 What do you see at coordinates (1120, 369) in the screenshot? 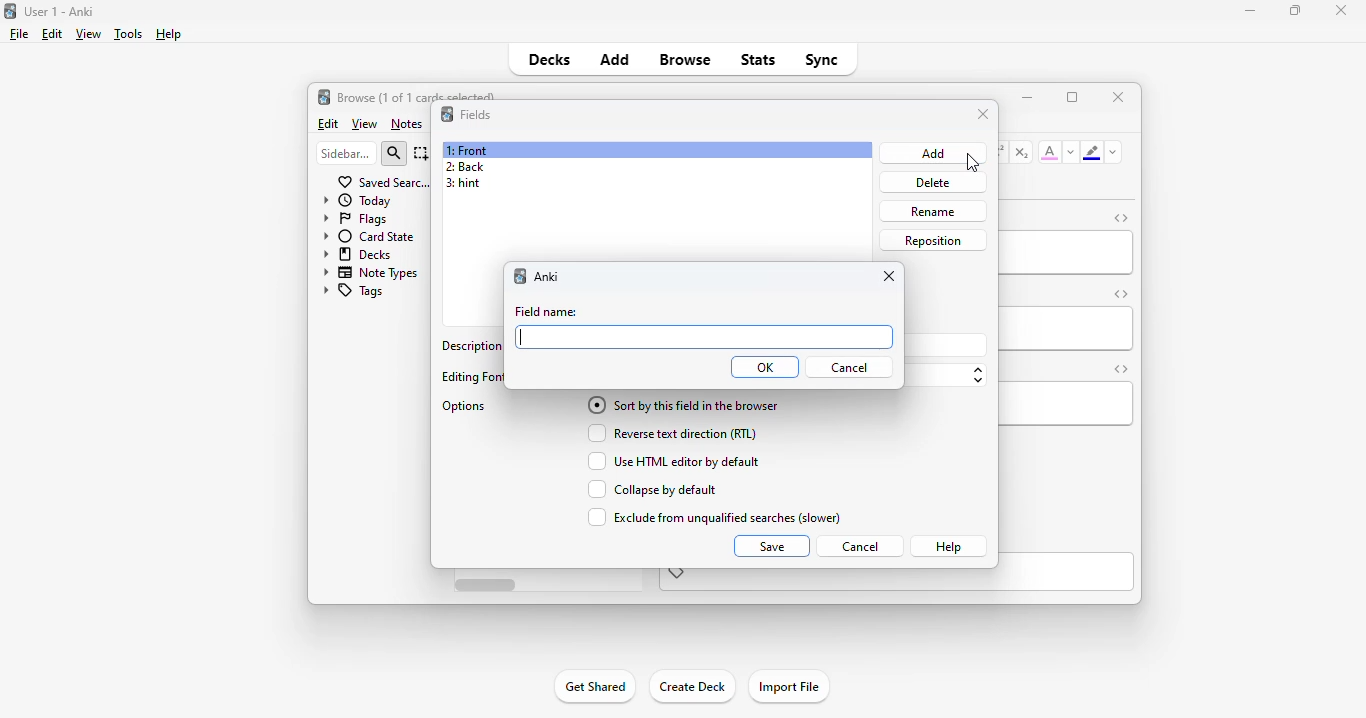
I see `toggle HTML editor` at bounding box center [1120, 369].